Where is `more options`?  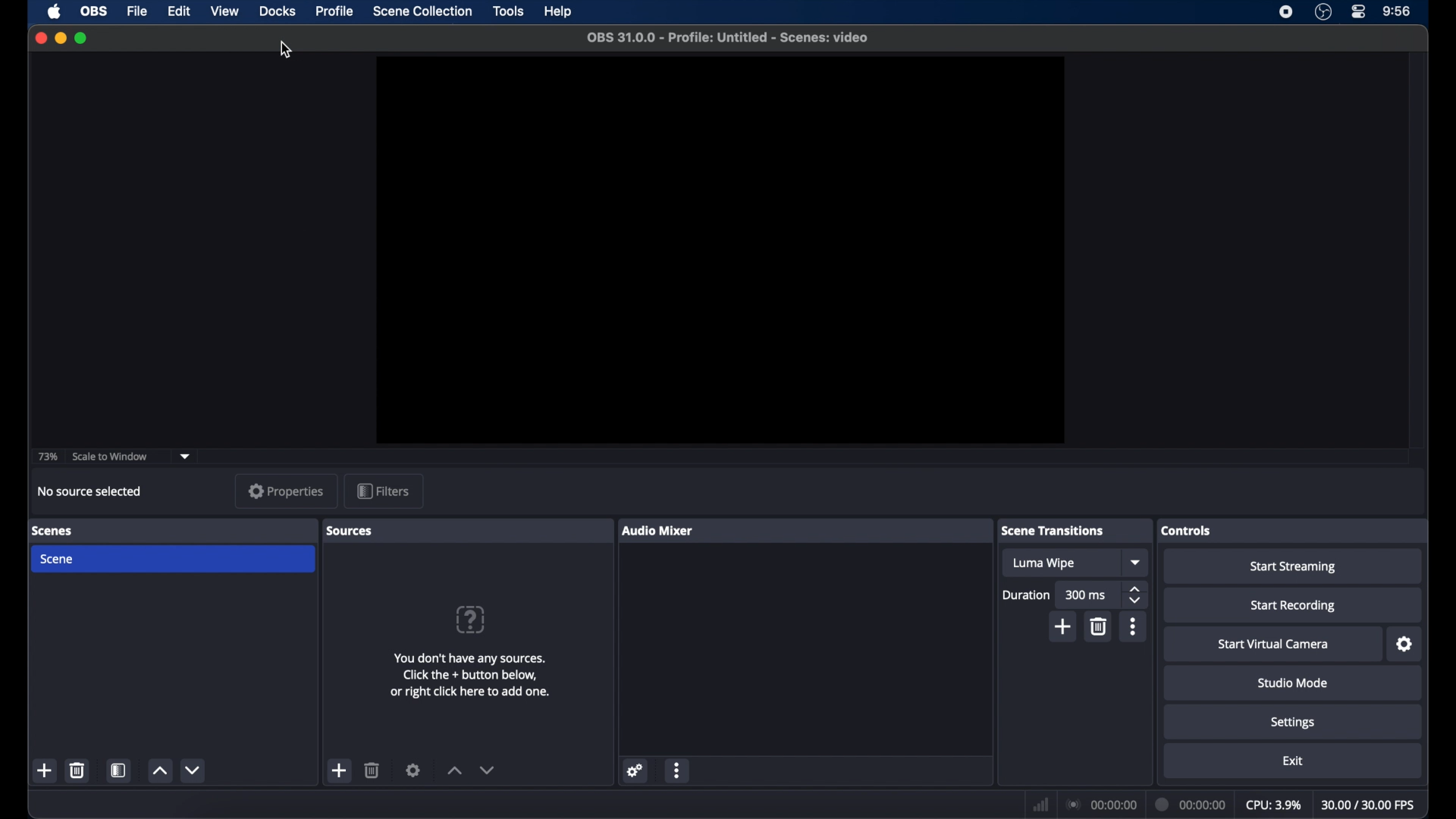
more options is located at coordinates (1134, 626).